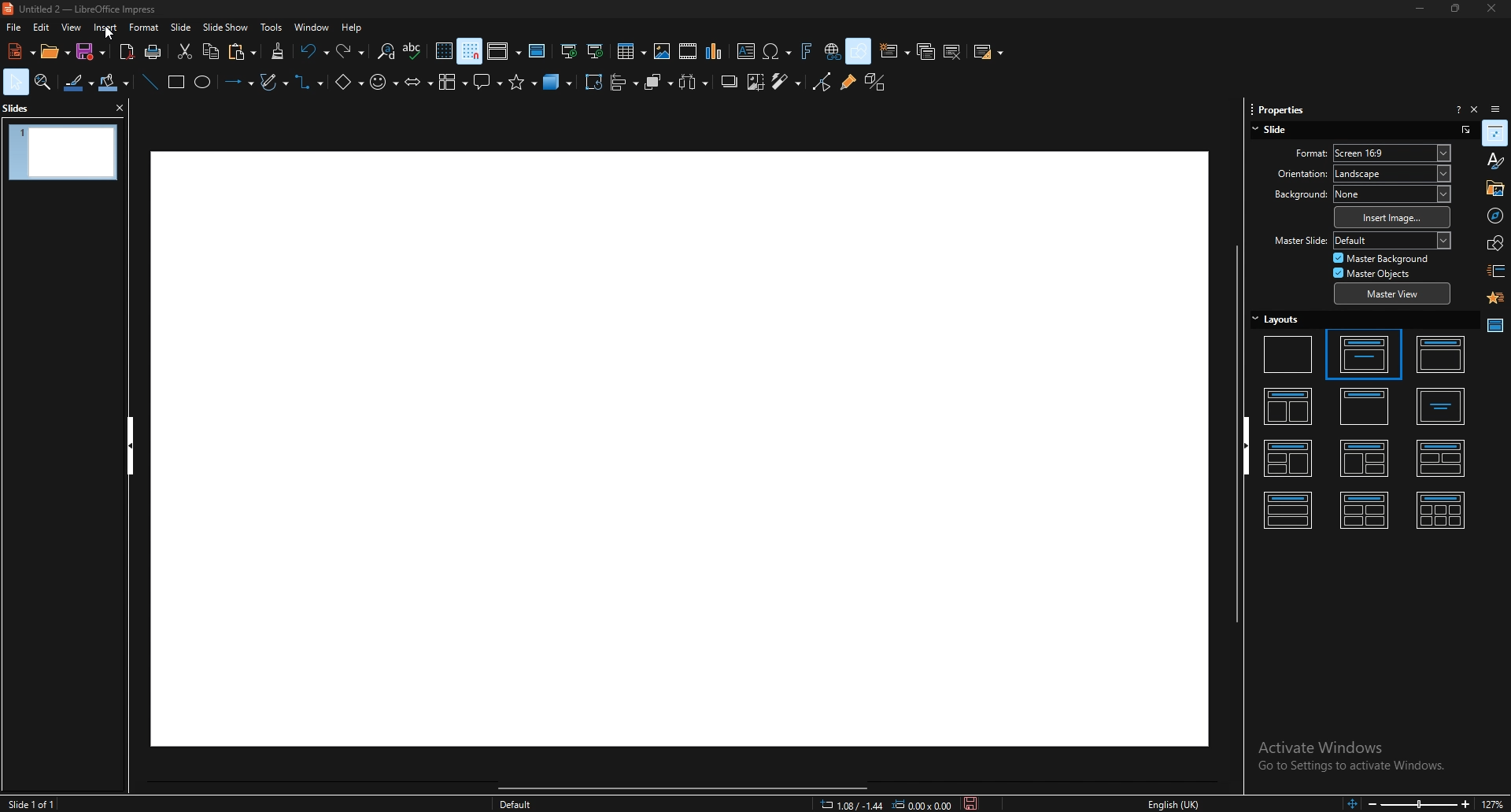 The height and width of the screenshot is (812, 1511). Describe the element at coordinates (1277, 109) in the screenshot. I see `properties` at that location.